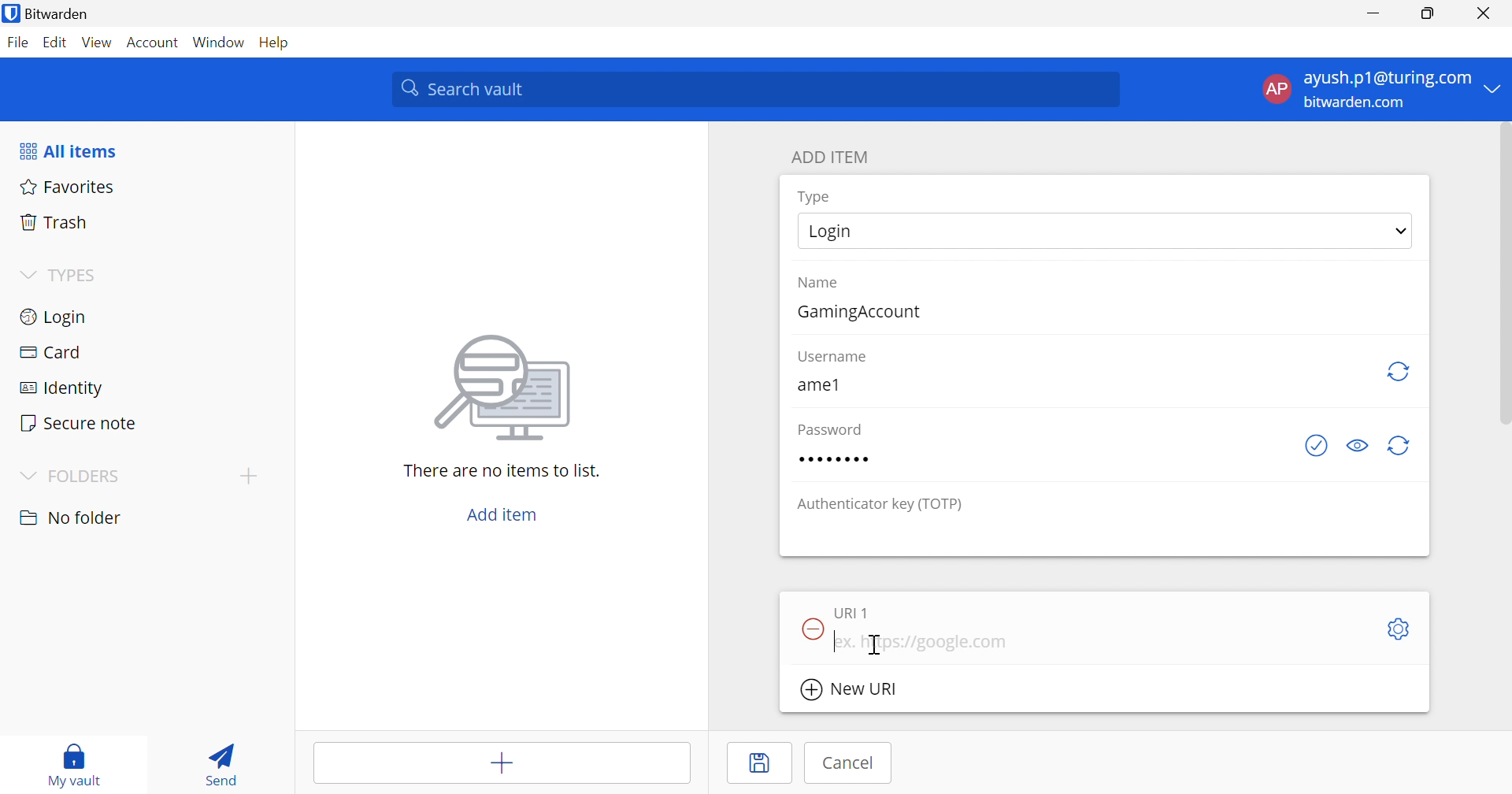 This screenshot has width=1512, height=794. I want to click on Login, so click(55, 317).